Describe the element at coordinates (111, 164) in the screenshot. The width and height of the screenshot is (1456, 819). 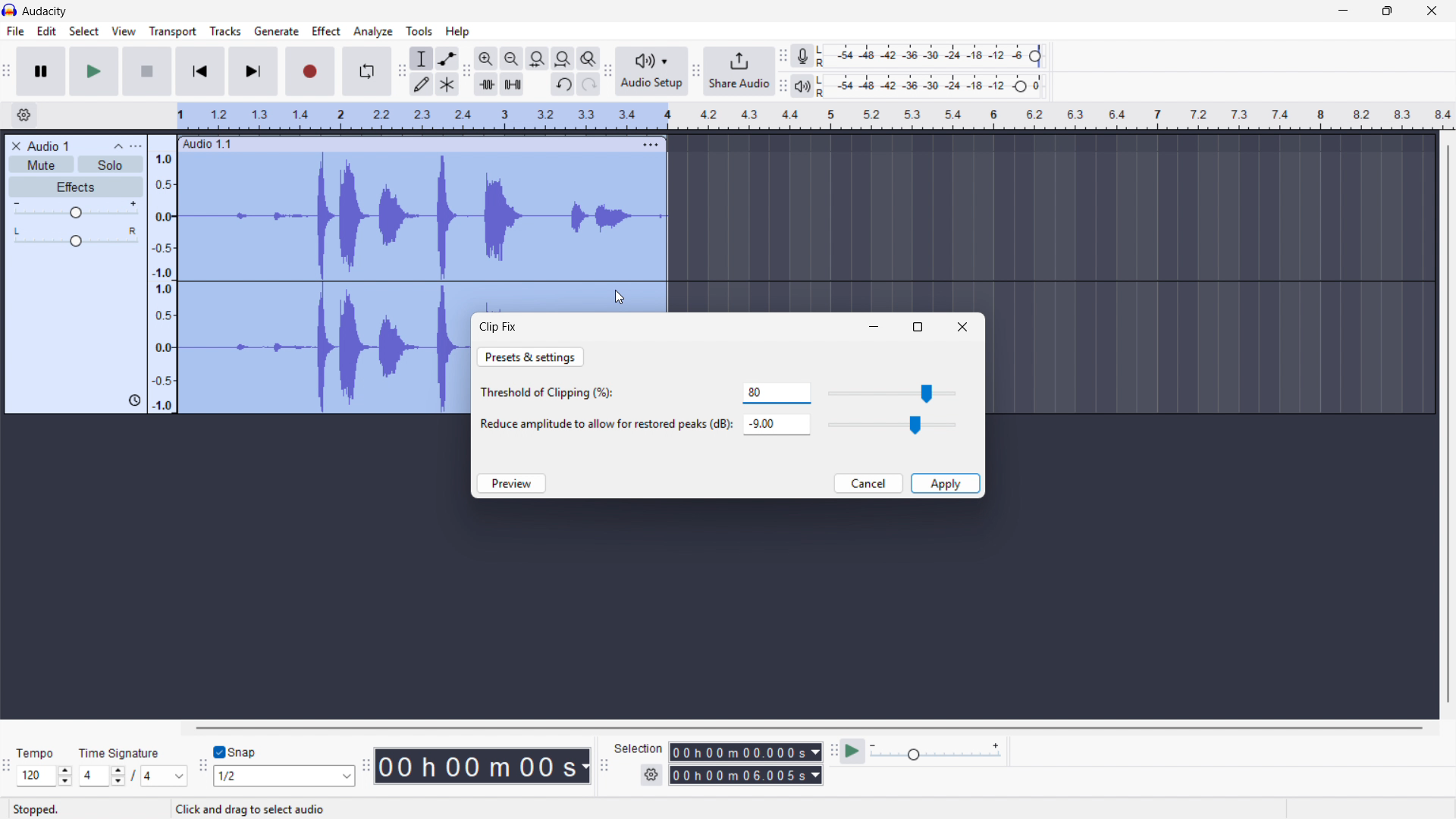
I see `Solo` at that location.